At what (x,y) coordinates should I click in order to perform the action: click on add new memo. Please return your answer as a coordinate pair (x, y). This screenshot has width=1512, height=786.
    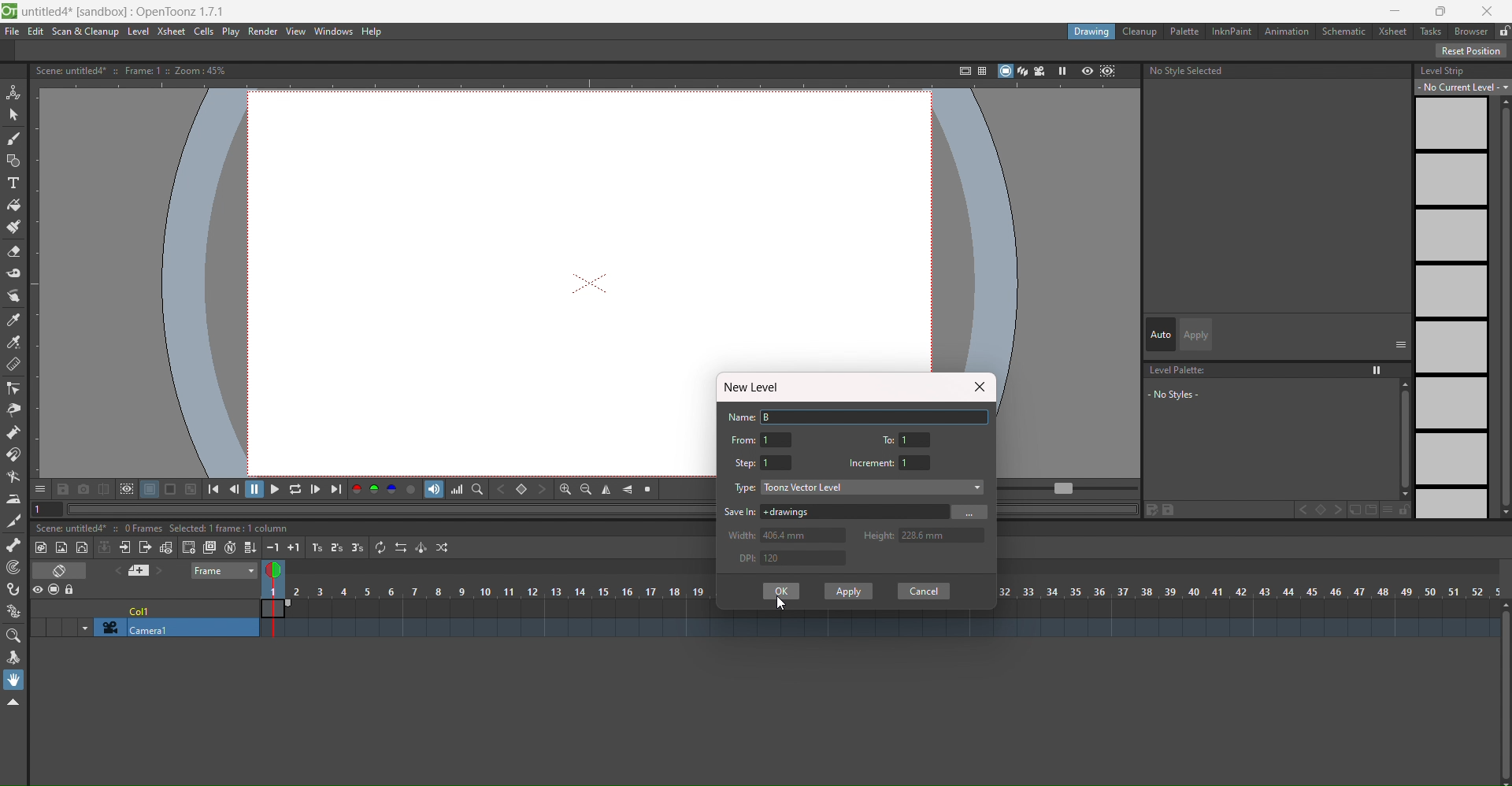
    Looking at the image, I should click on (143, 570).